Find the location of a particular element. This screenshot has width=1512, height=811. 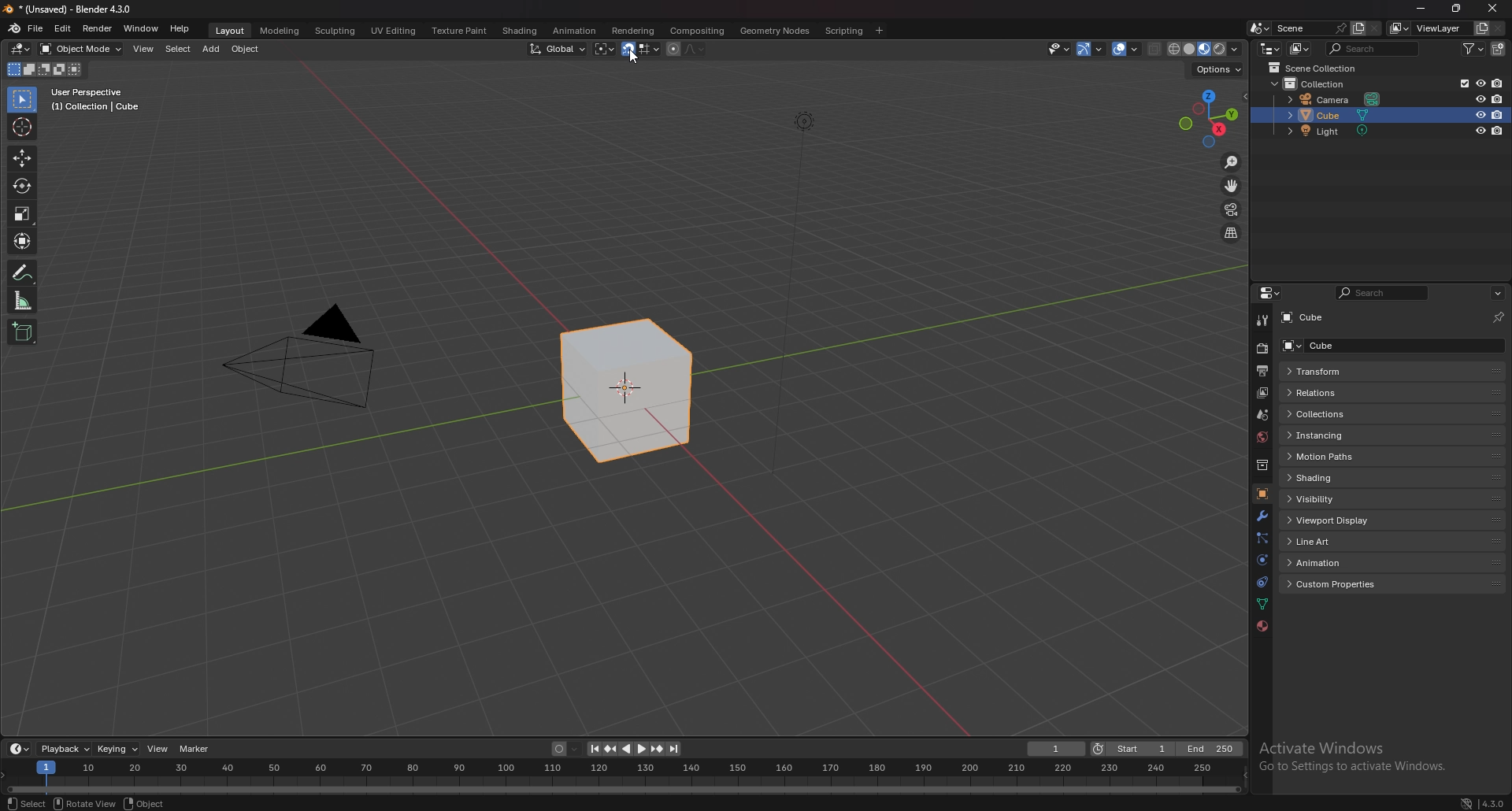

add collection is located at coordinates (1499, 48).